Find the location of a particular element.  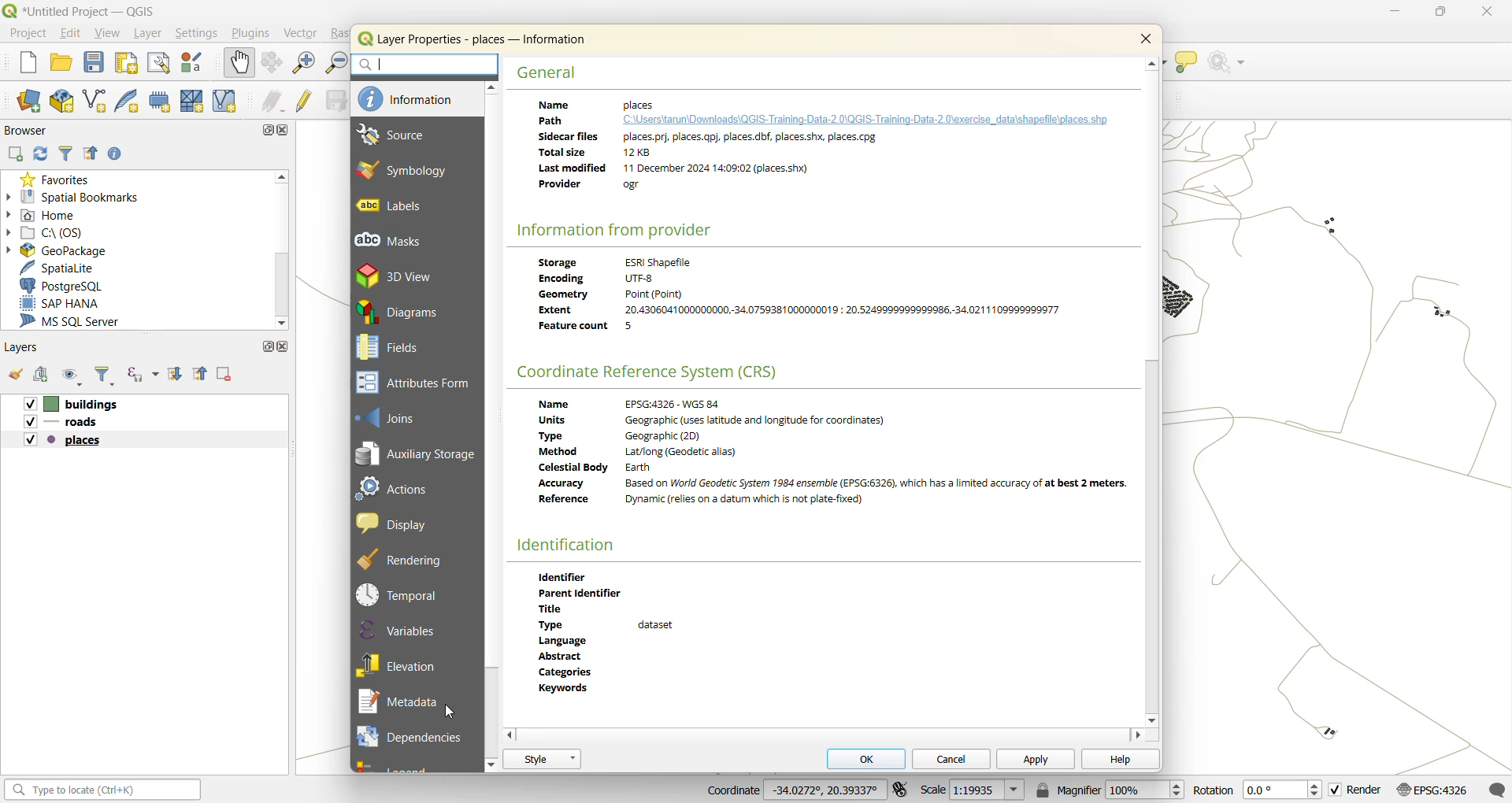

pan map is located at coordinates (239, 63).